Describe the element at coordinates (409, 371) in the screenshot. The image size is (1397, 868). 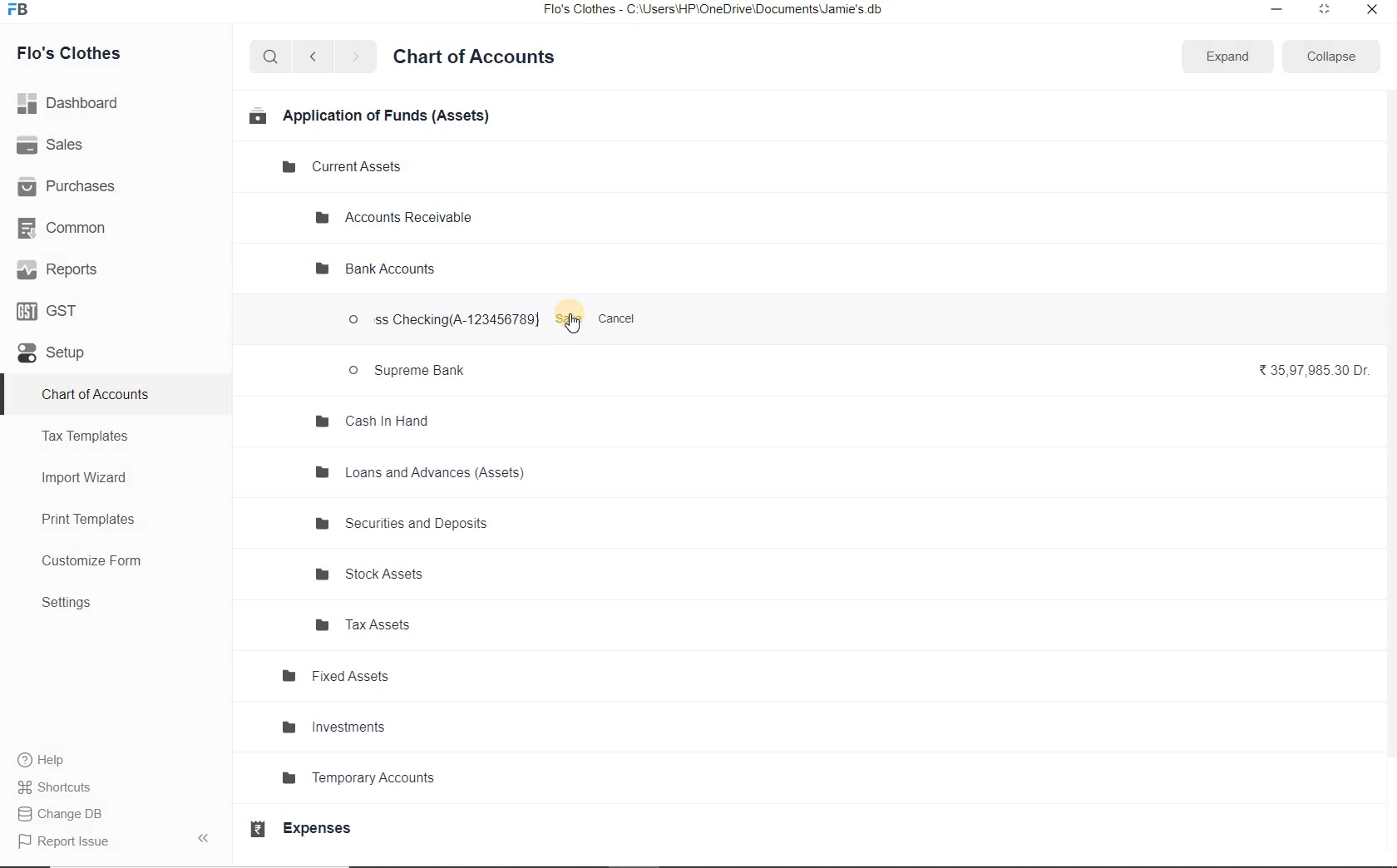
I see `Supreme Bank` at that location.